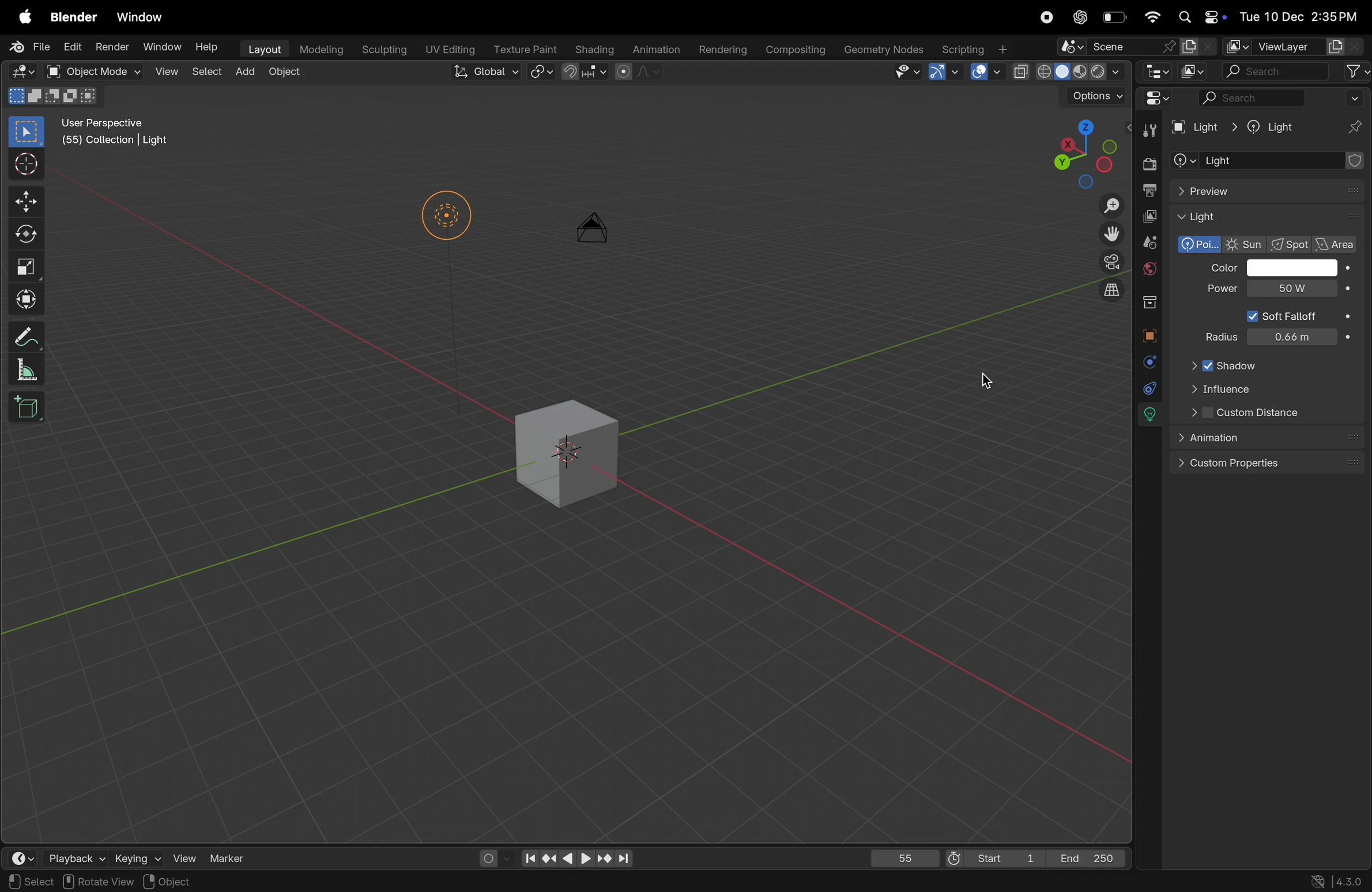  I want to click on transform, so click(28, 302).